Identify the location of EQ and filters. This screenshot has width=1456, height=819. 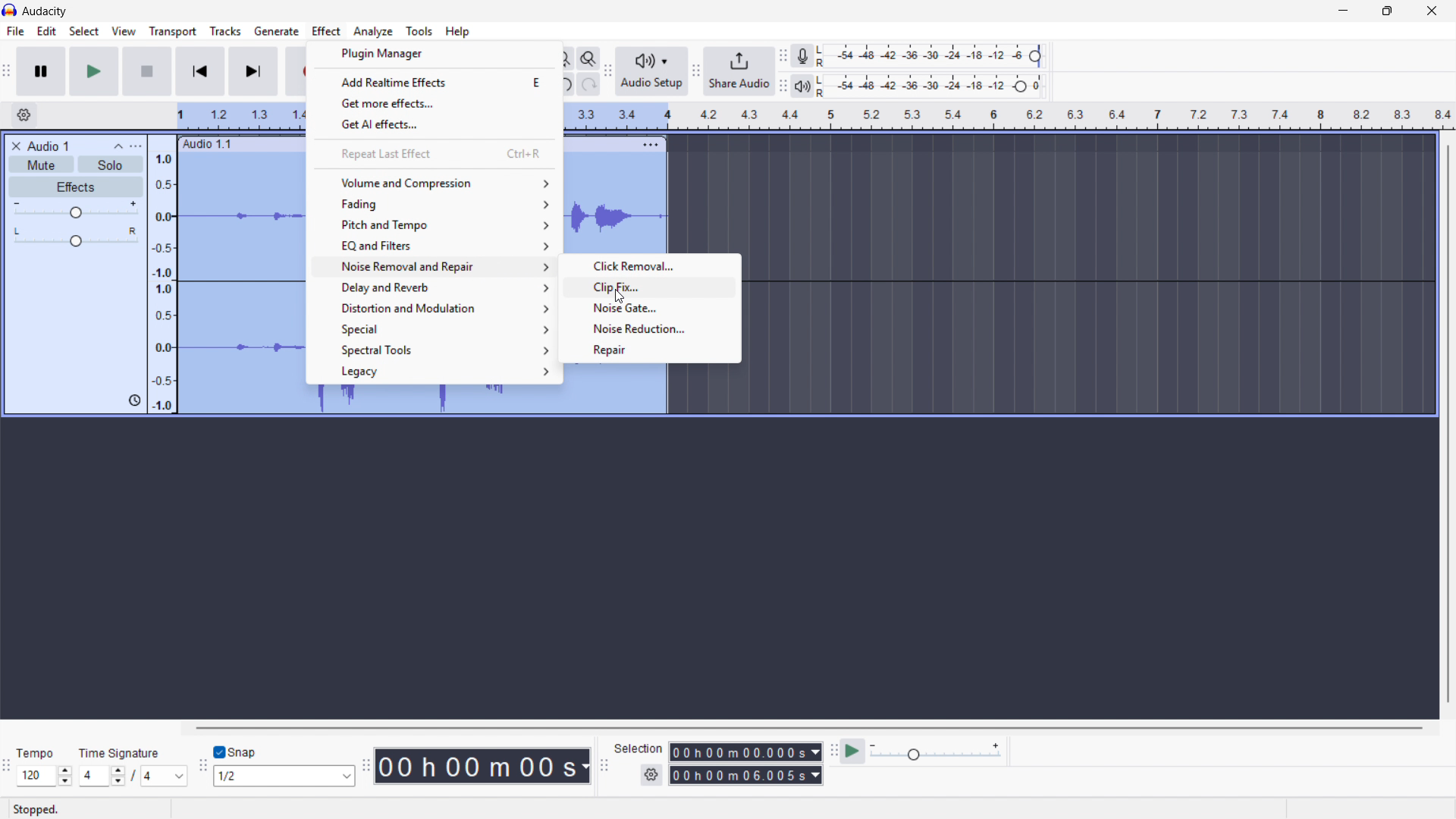
(435, 245).